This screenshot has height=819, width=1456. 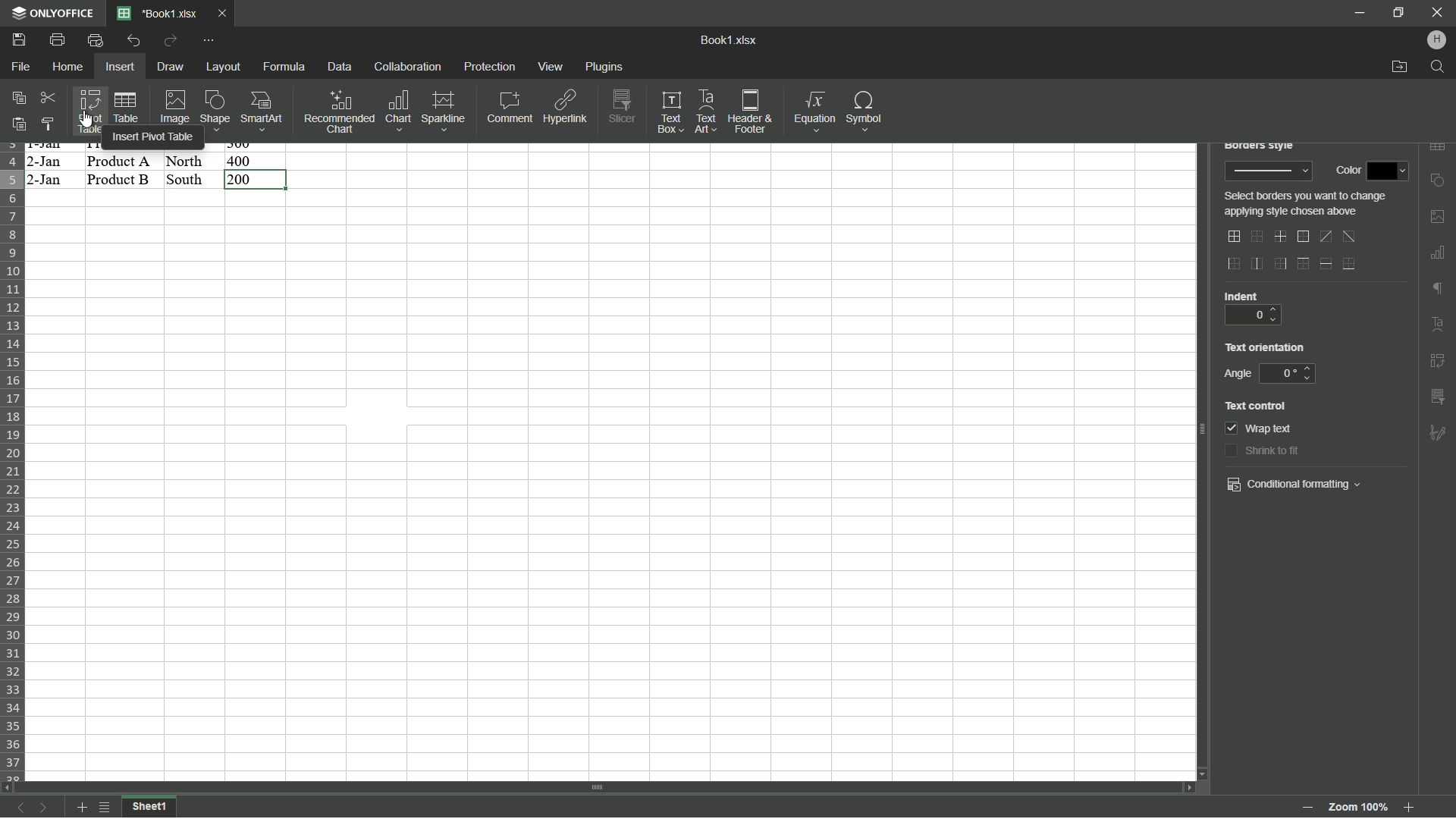 I want to click on Recommended chart, so click(x=340, y=113).